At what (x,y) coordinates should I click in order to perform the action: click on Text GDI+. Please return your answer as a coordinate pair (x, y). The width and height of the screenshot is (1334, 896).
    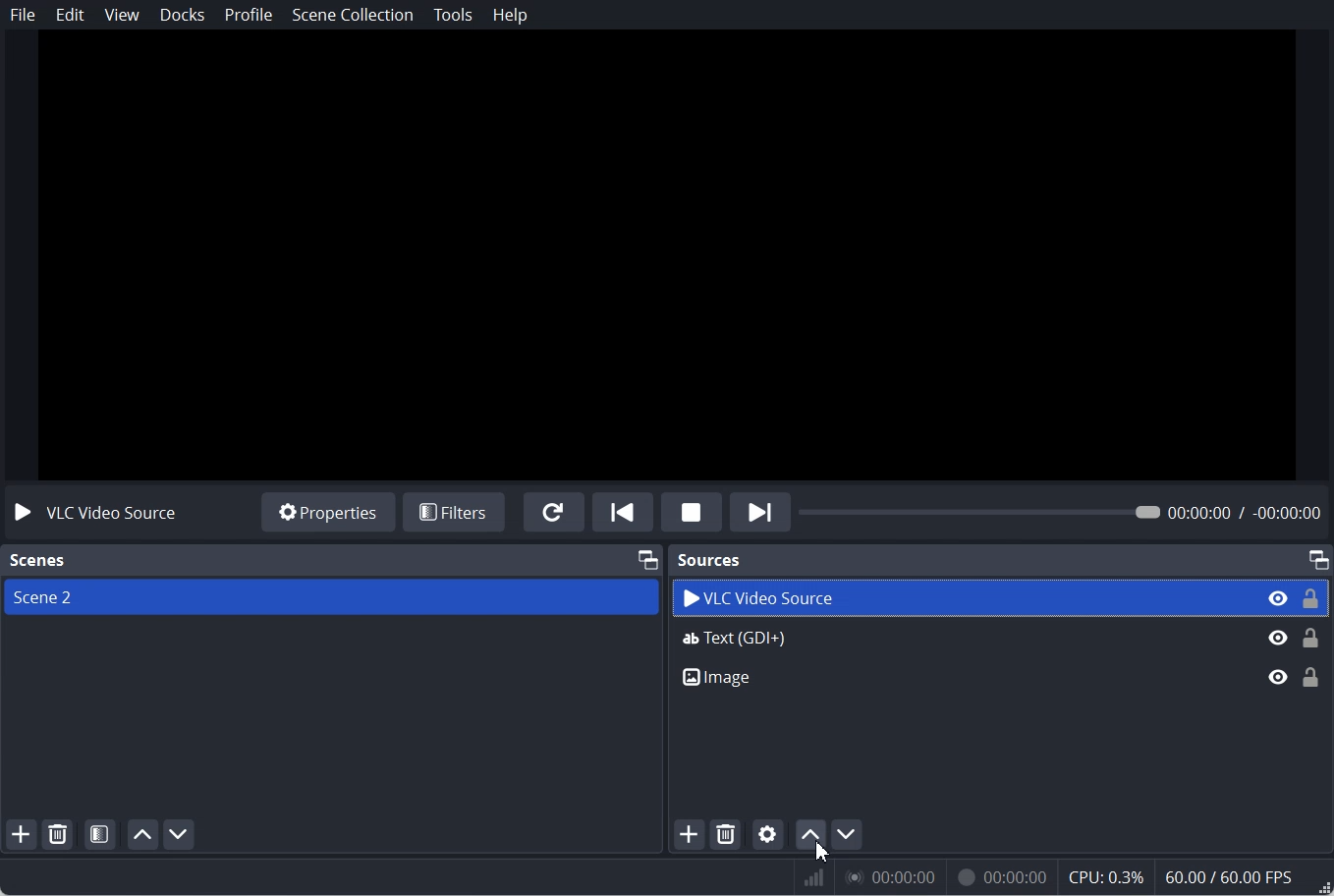
    Looking at the image, I should click on (1000, 643).